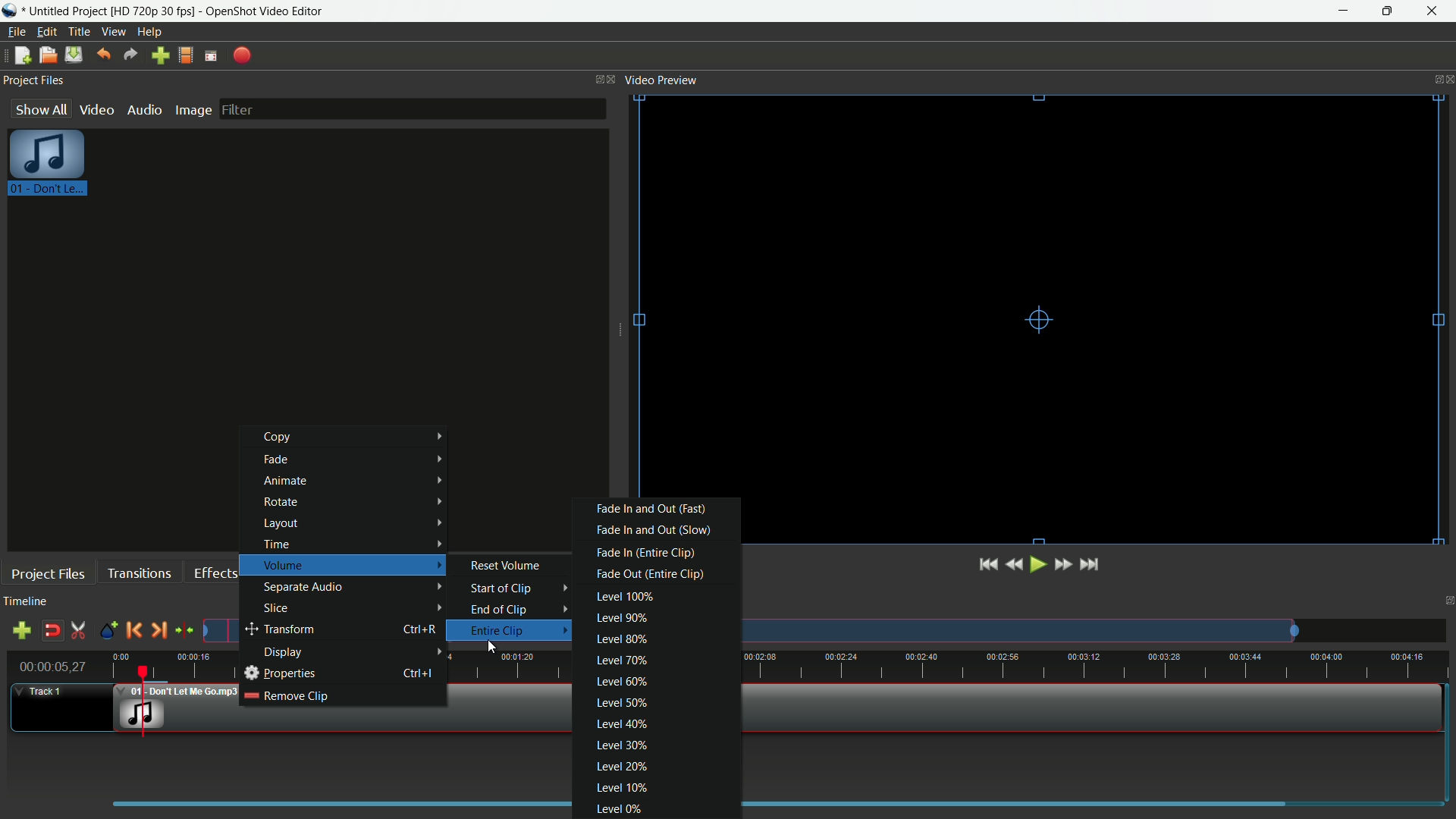  What do you see at coordinates (1091, 564) in the screenshot?
I see `jump to end` at bounding box center [1091, 564].